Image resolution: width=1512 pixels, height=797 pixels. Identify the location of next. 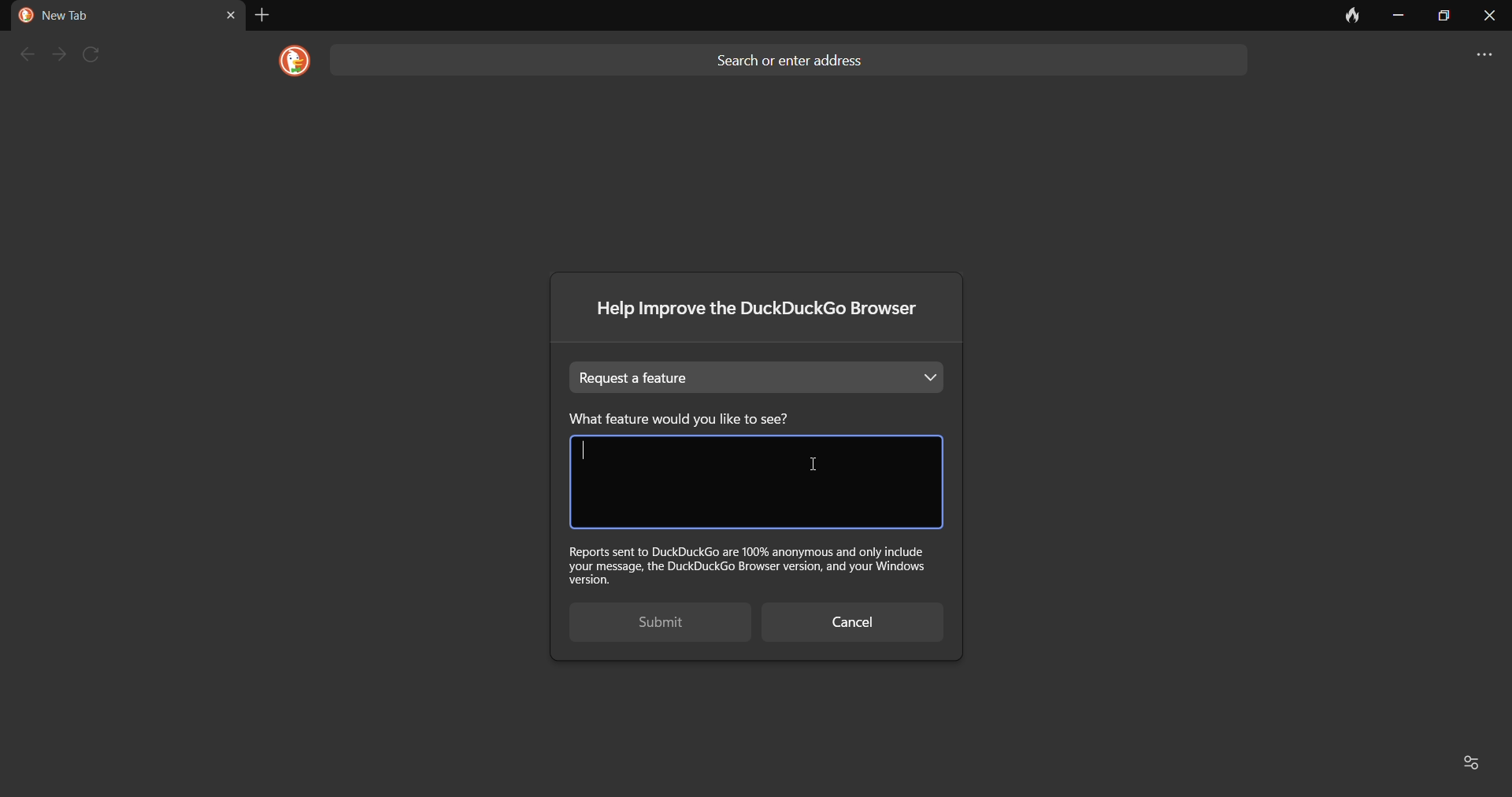
(61, 54).